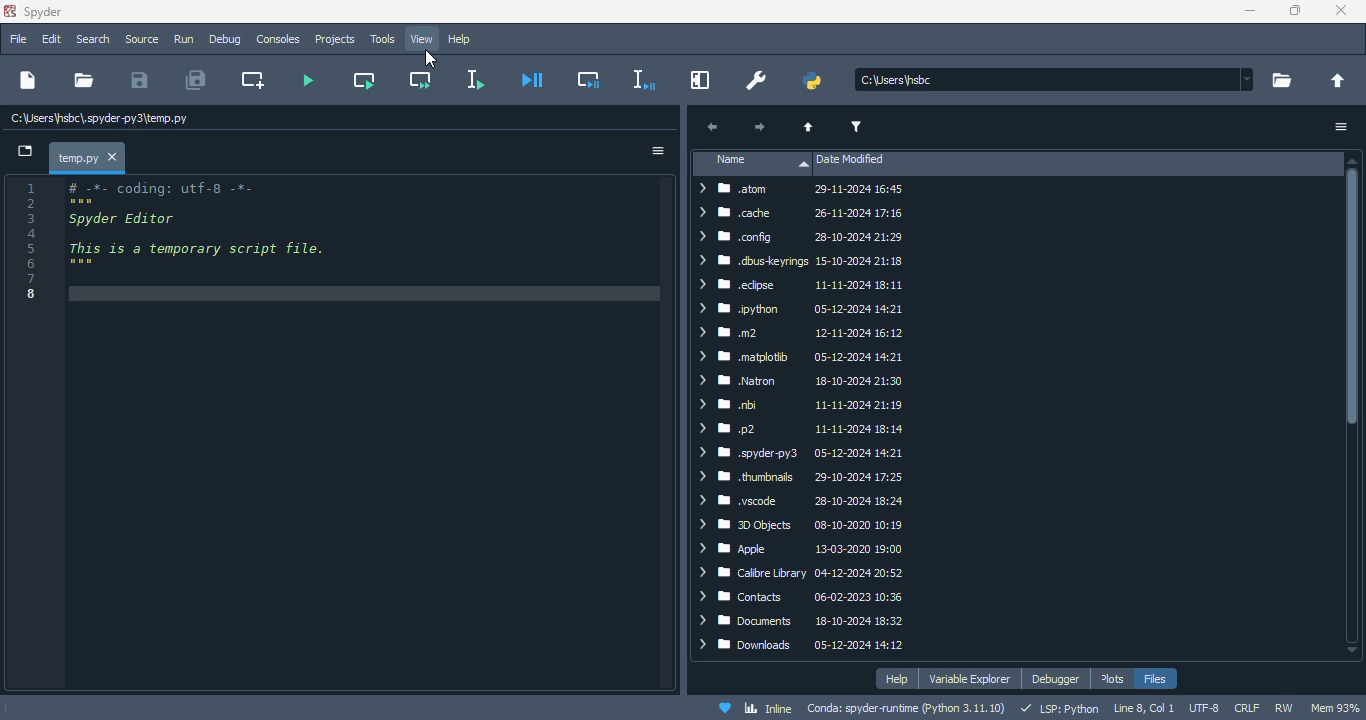  I want to click on contacts, so click(806, 596).